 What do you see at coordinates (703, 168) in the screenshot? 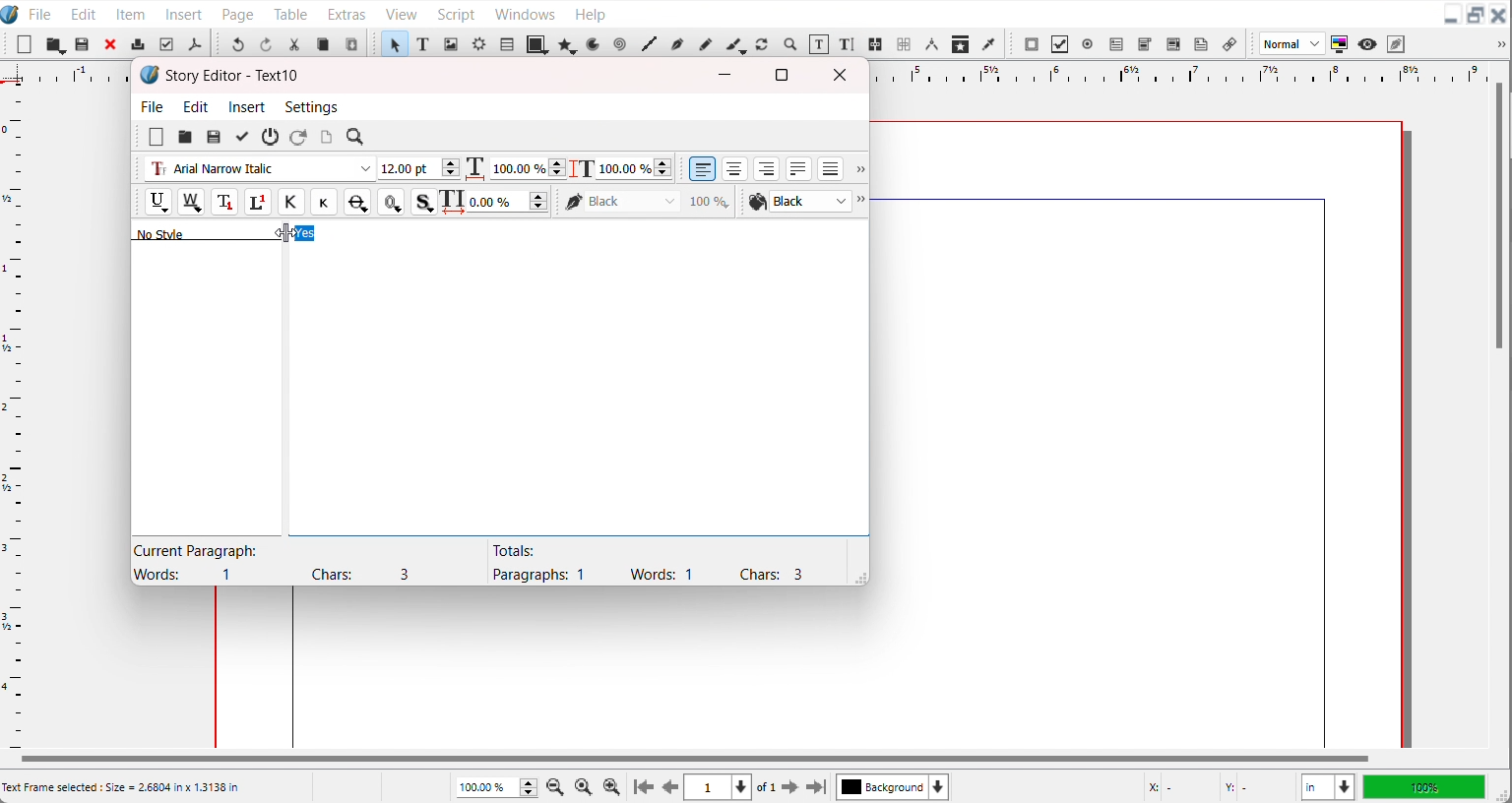
I see `Align text left` at bounding box center [703, 168].